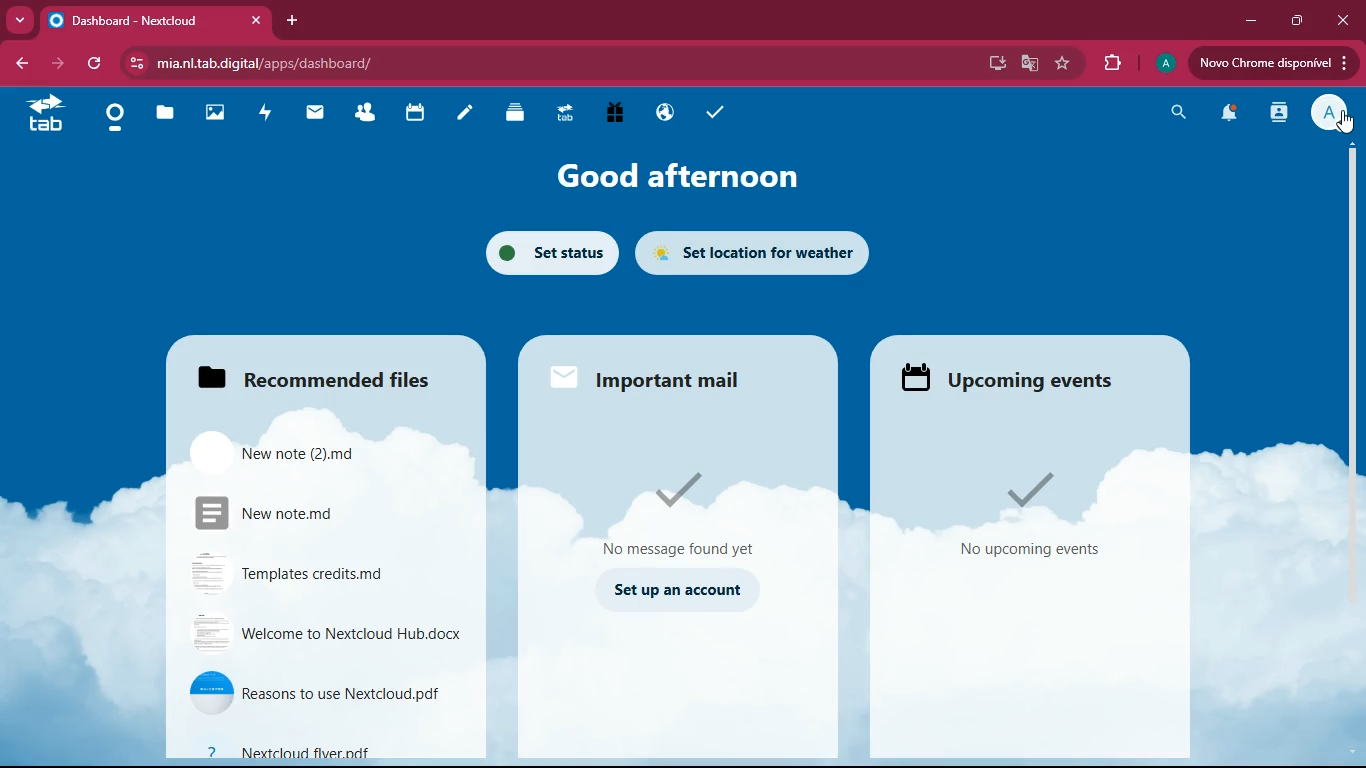  Describe the element at coordinates (22, 22) in the screenshot. I see `more` at that location.